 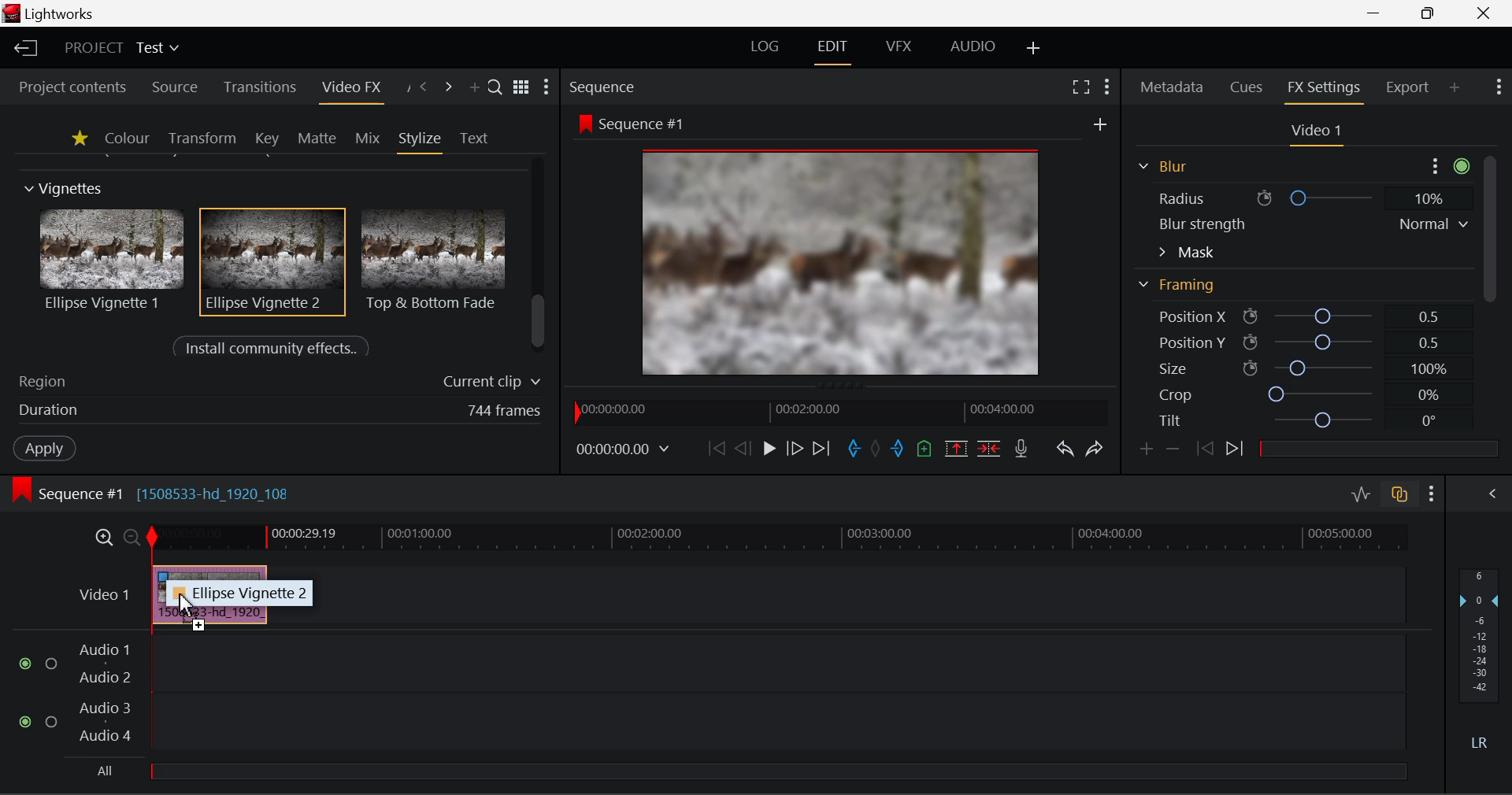 I want to click on Minimize, so click(x=1429, y=14).